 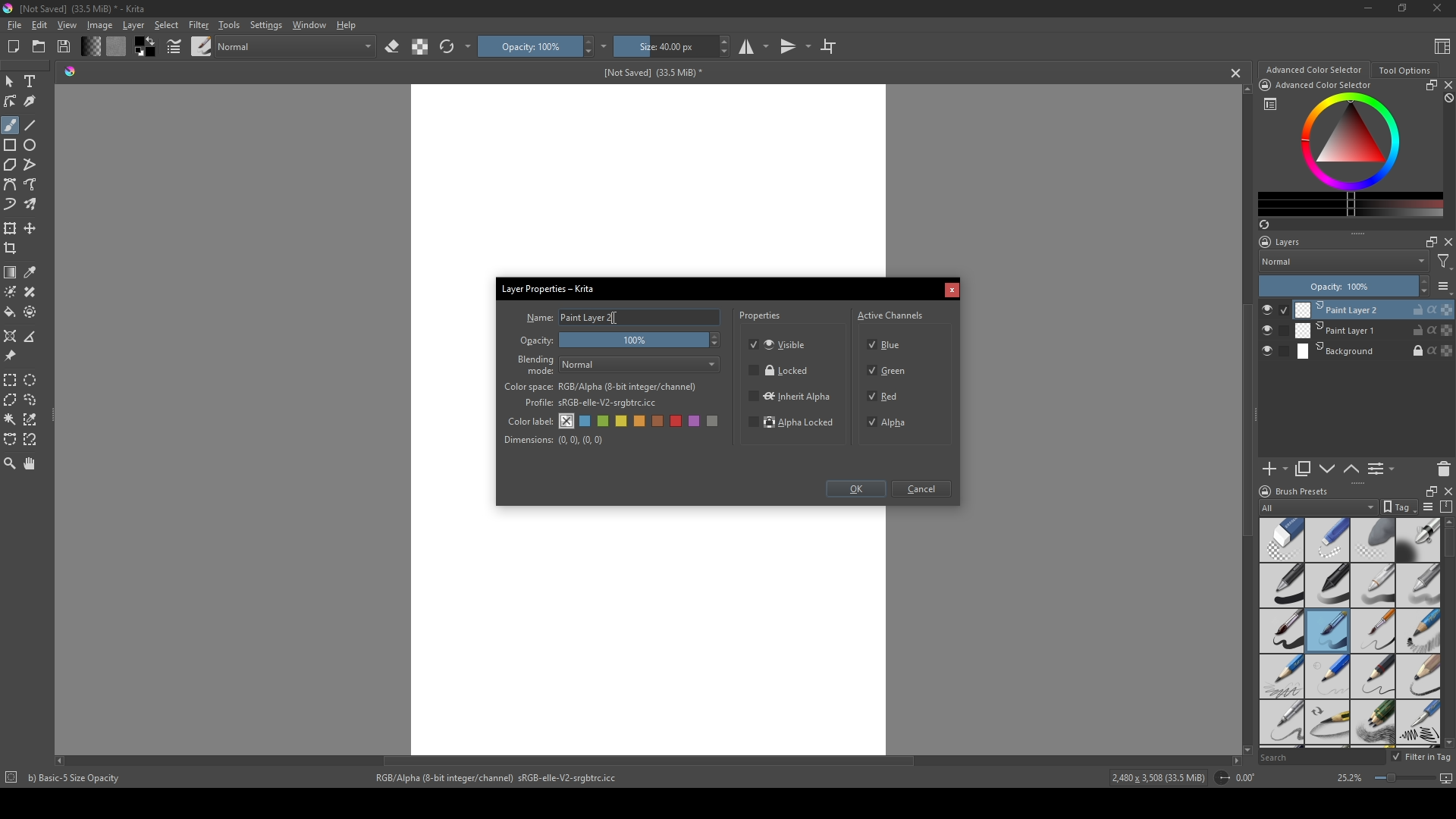 What do you see at coordinates (11, 48) in the screenshot?
I see `New file` at bounding box center [11, 48].